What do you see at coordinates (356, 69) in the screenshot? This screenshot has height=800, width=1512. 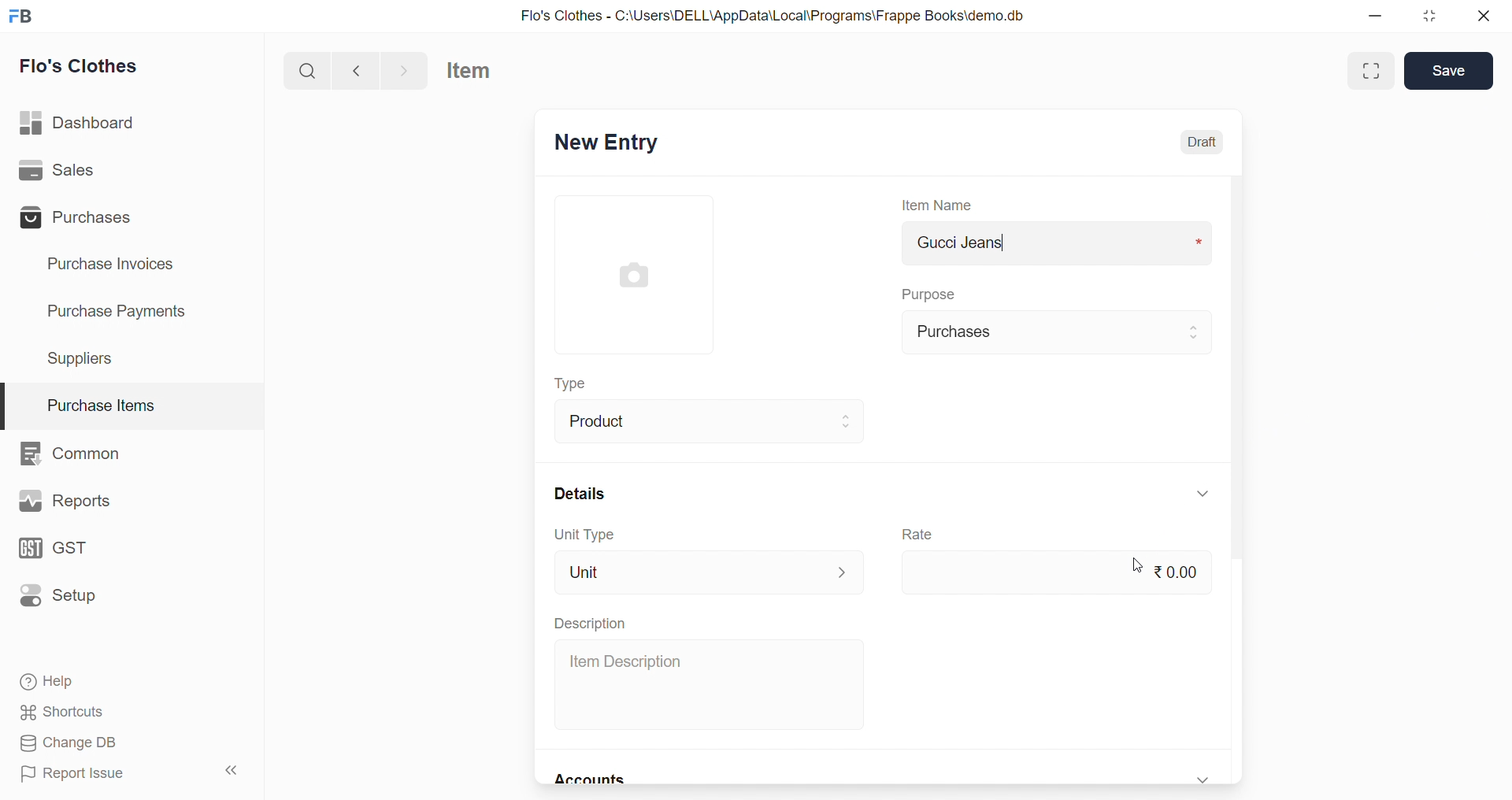 I see `navigate backward` at bounding box center [356, 69].